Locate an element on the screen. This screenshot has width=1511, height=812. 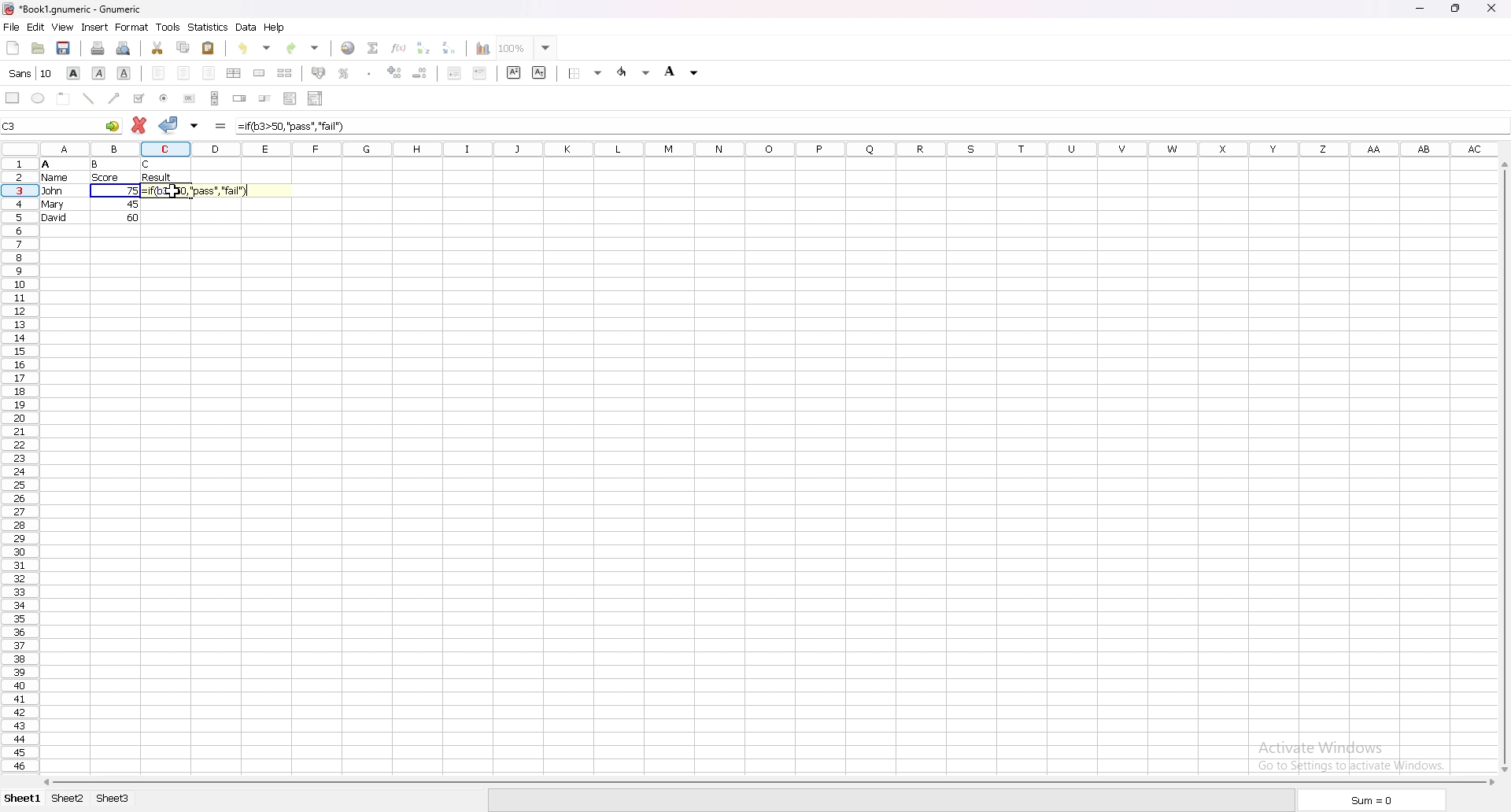
function is located at coordinates (398, 49).